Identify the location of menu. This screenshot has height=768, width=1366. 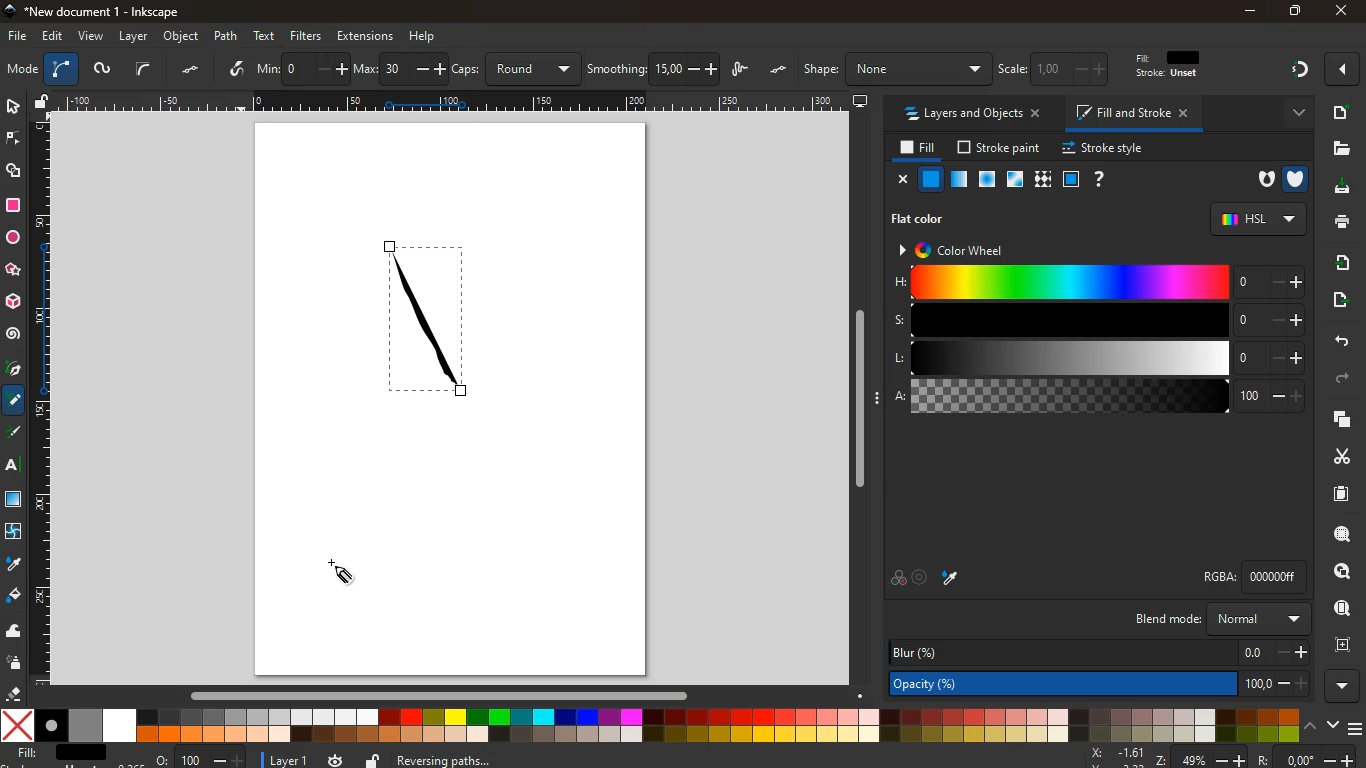
(1357, 729).